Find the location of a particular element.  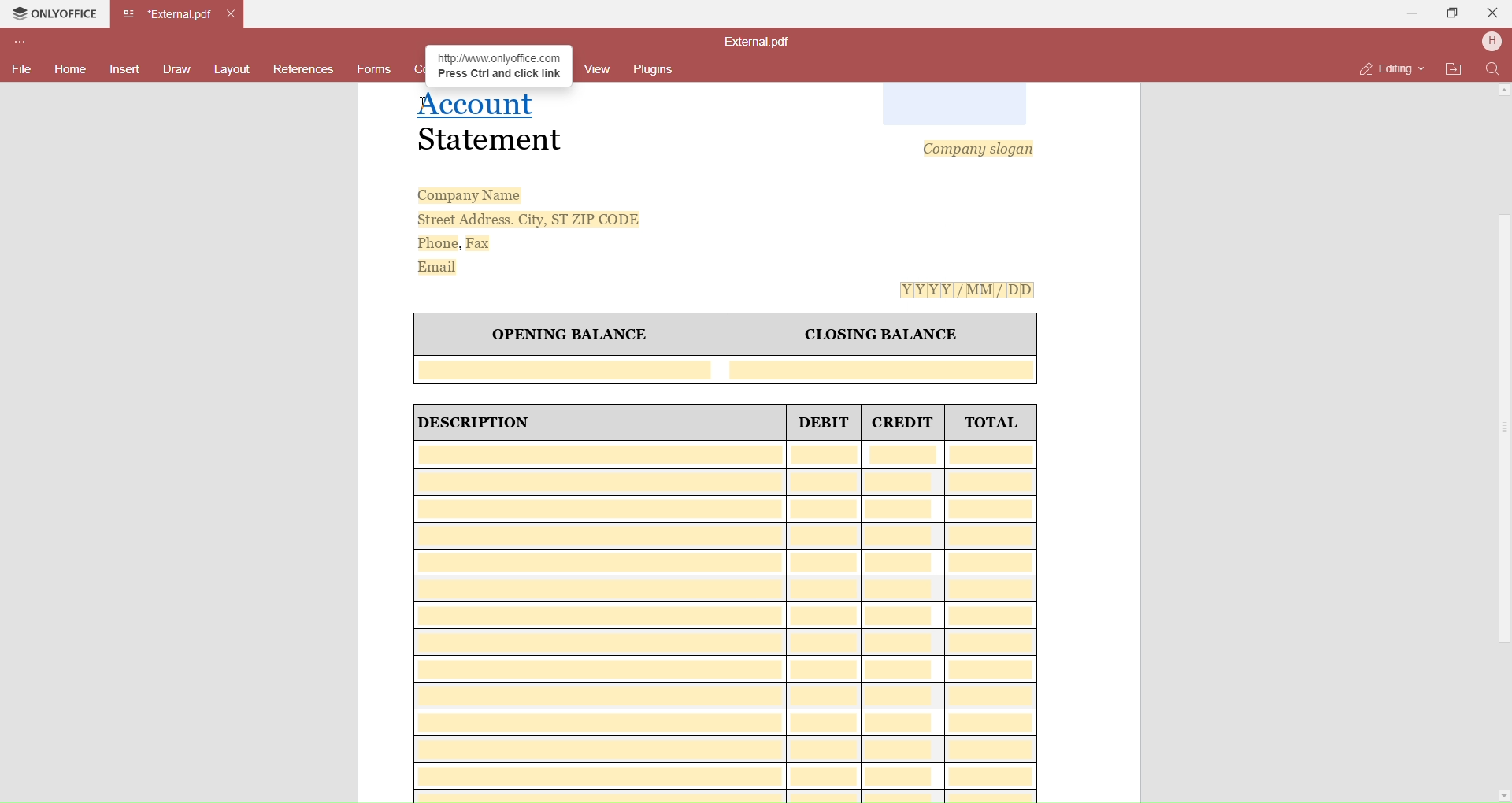

DEBIT is located at coordinates (826, 422).